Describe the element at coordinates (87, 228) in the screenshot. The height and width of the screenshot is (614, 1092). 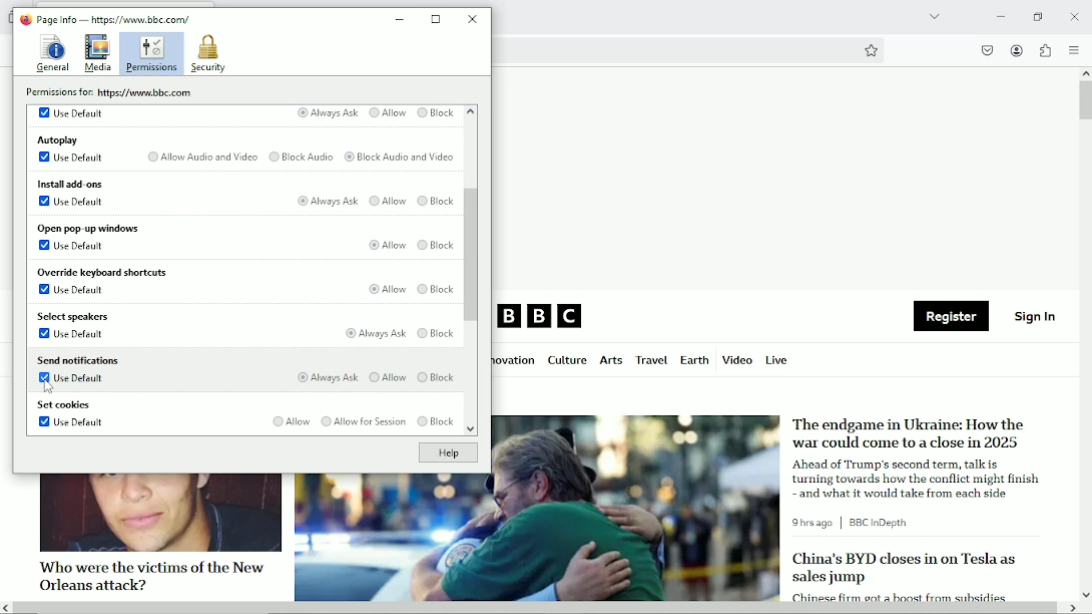
I see `open pop-up windows` at that location.